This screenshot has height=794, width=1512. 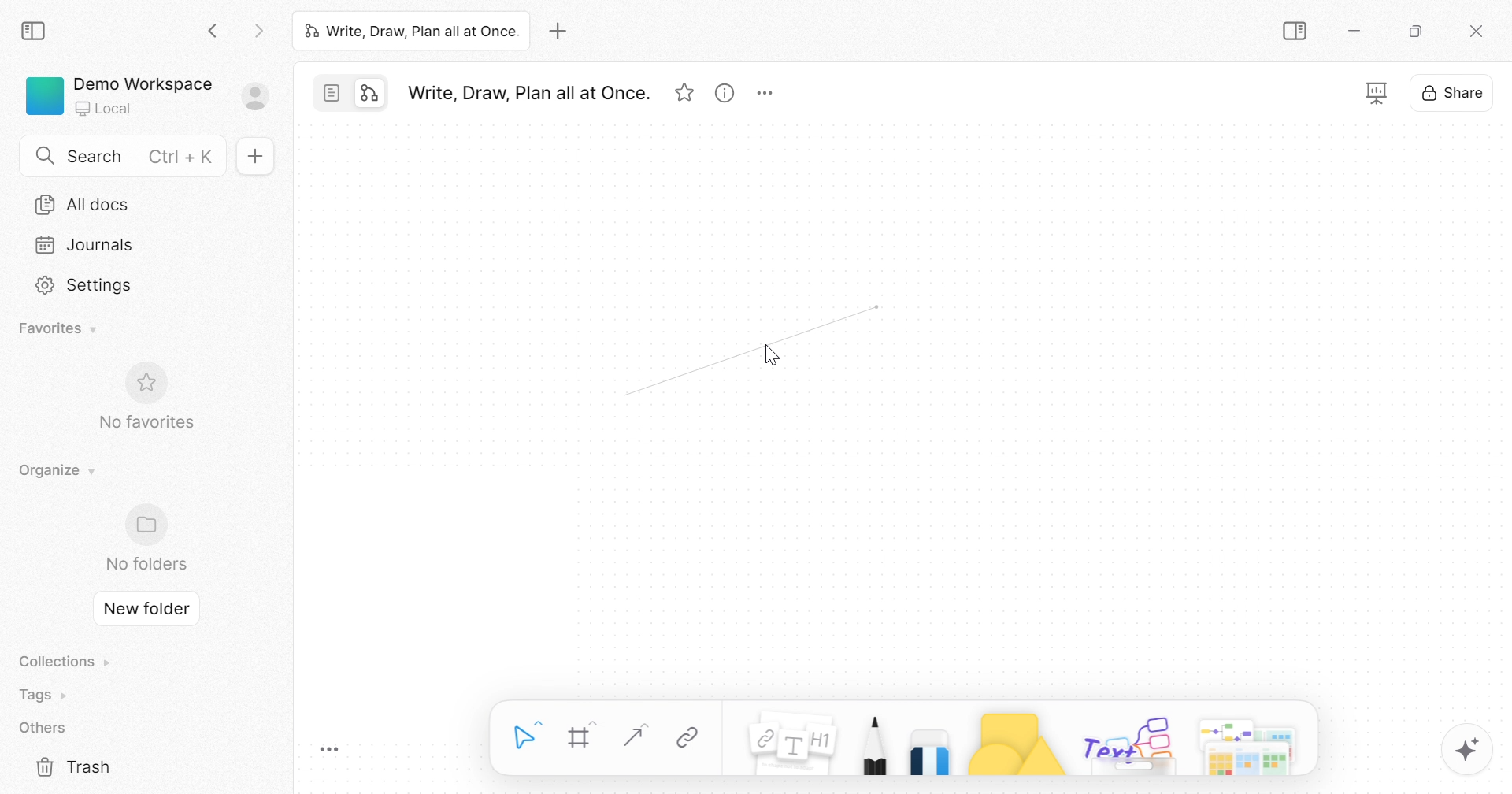 I want to click on Minimize, so click(x=1359, y=34).